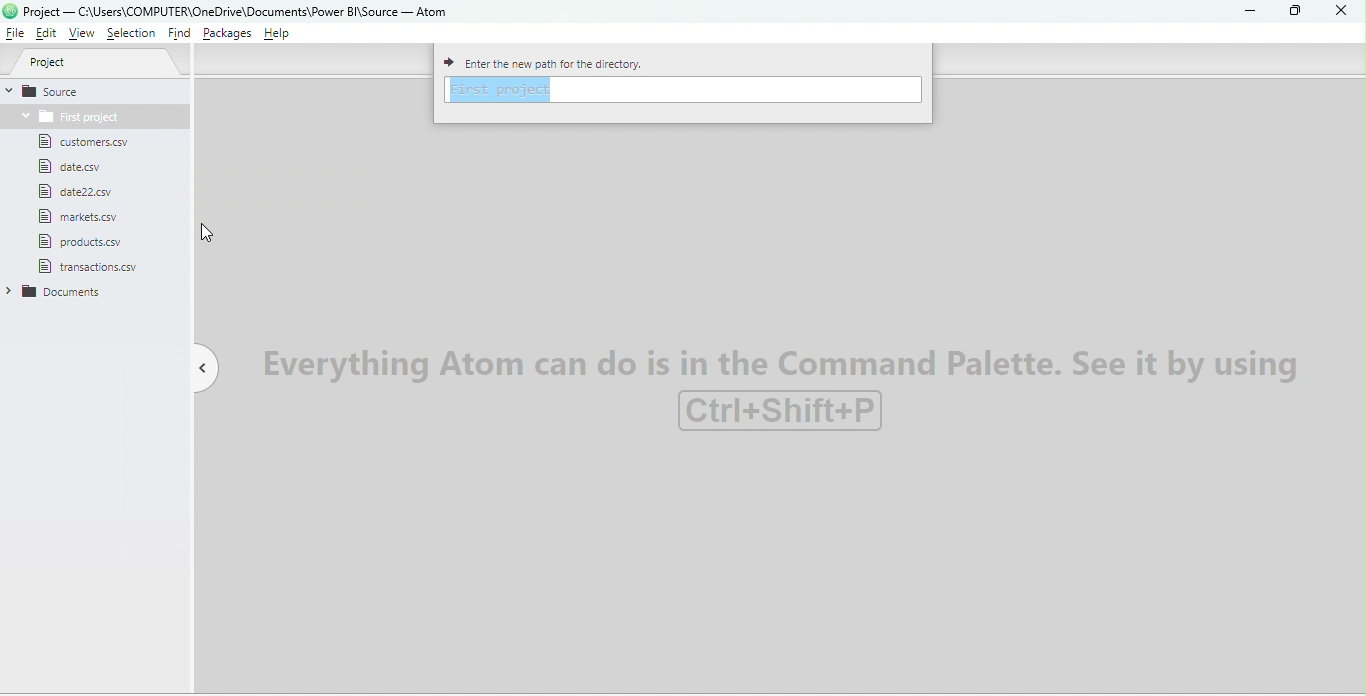 Image resolution: width=1366 pixels, height=696 pixels. I want to click on File, so click(79, 167).